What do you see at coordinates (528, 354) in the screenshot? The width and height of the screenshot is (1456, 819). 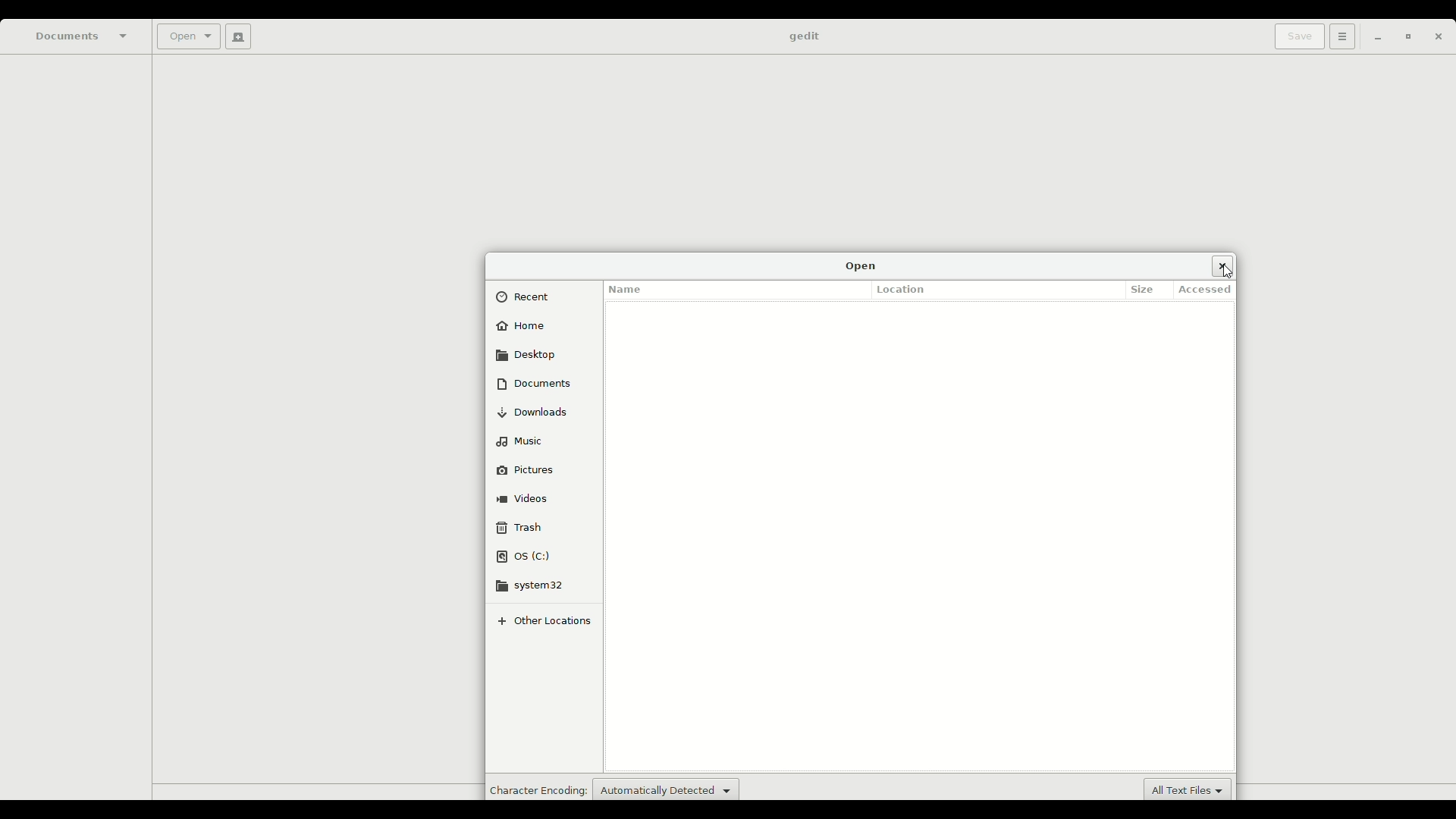 I see `Desktop` at bounding box center [528, 354].